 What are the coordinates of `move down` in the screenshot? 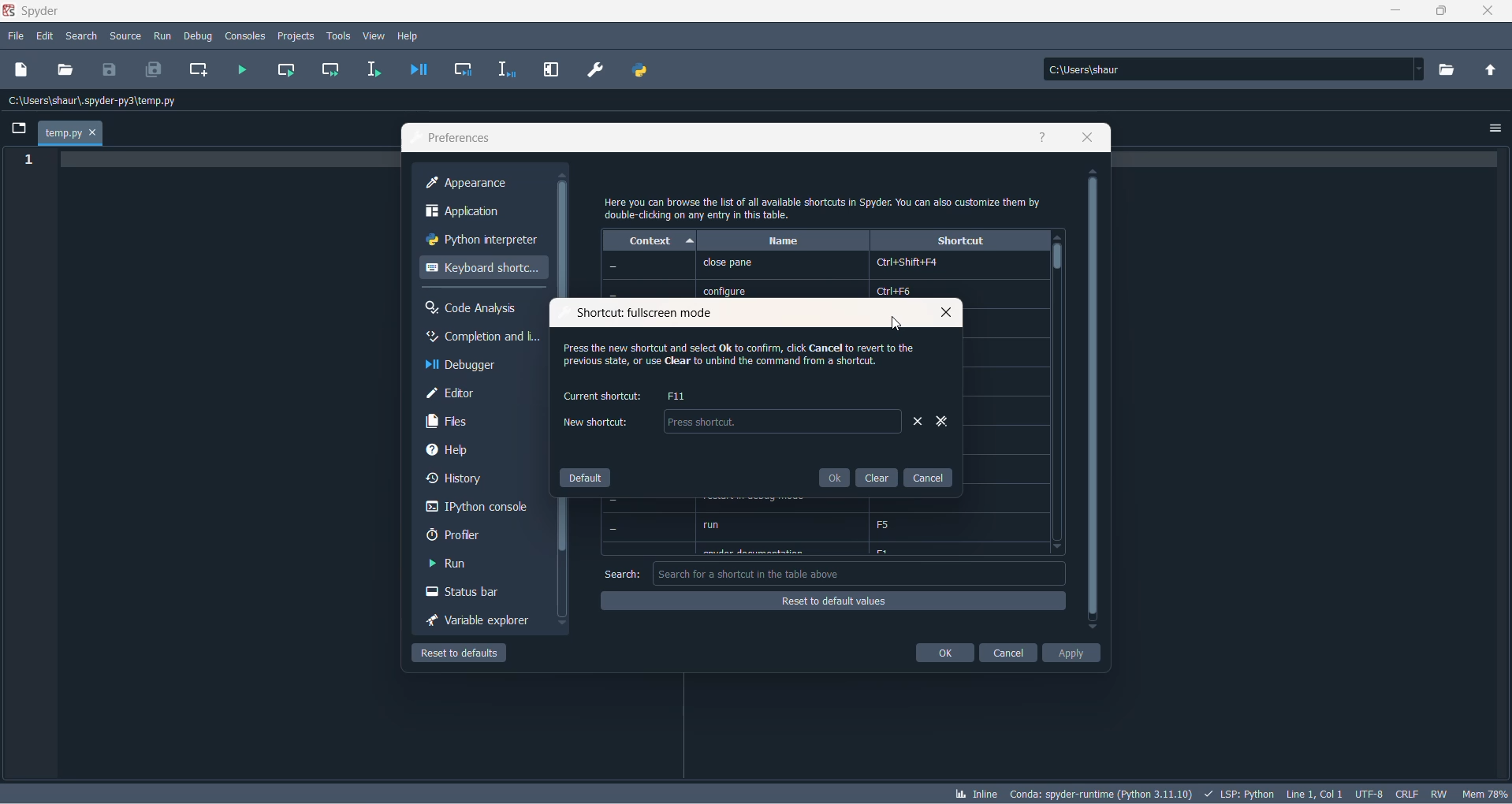 It's located at (1056, 549).